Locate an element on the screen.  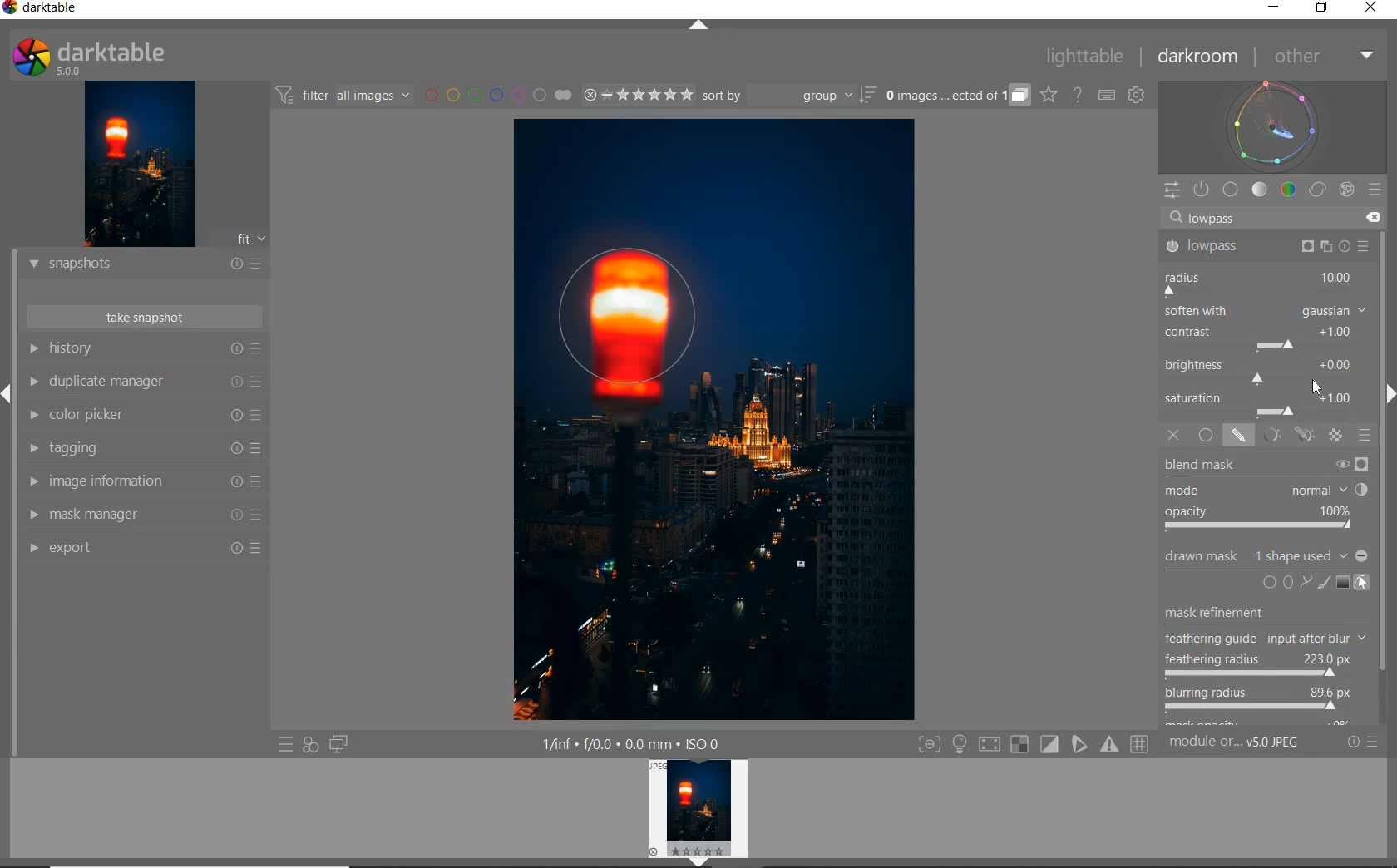
IMAGE PREVIEW is located at coordinates (140, 163).